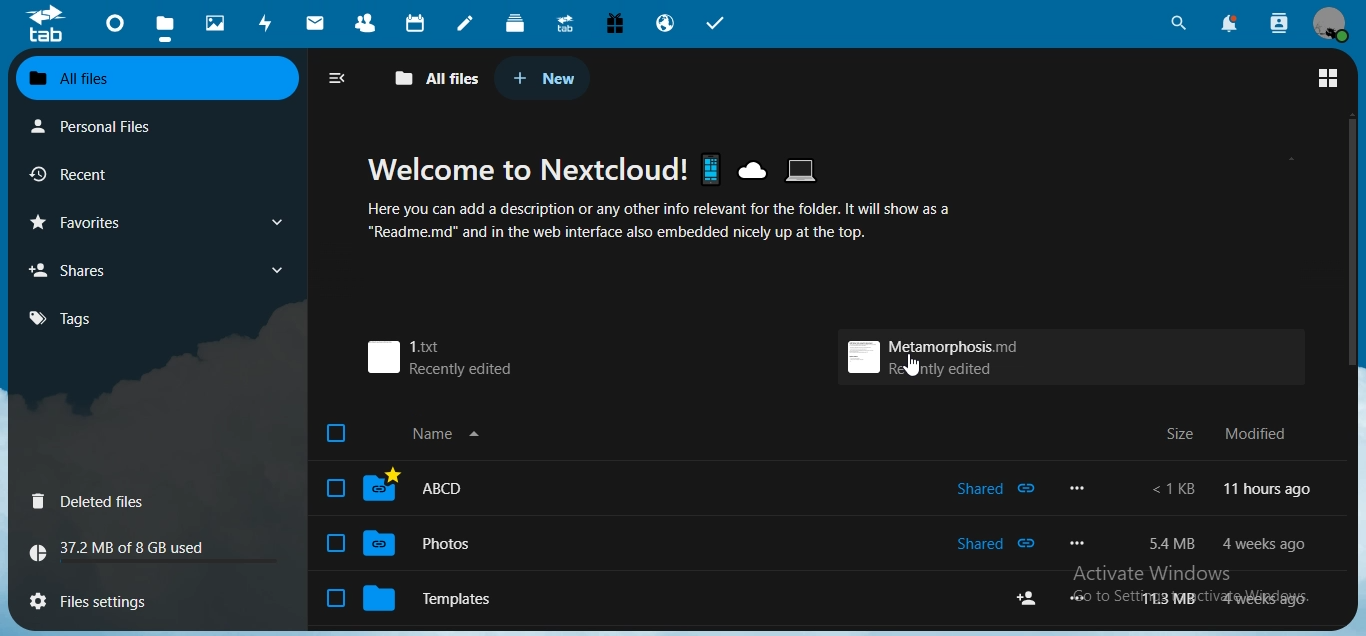 The width and height of the screenshot is (1366, 636). What do you see at coordinates (437, 78) in the screenshot?
I see `all files` at bounding box center [437, 78].